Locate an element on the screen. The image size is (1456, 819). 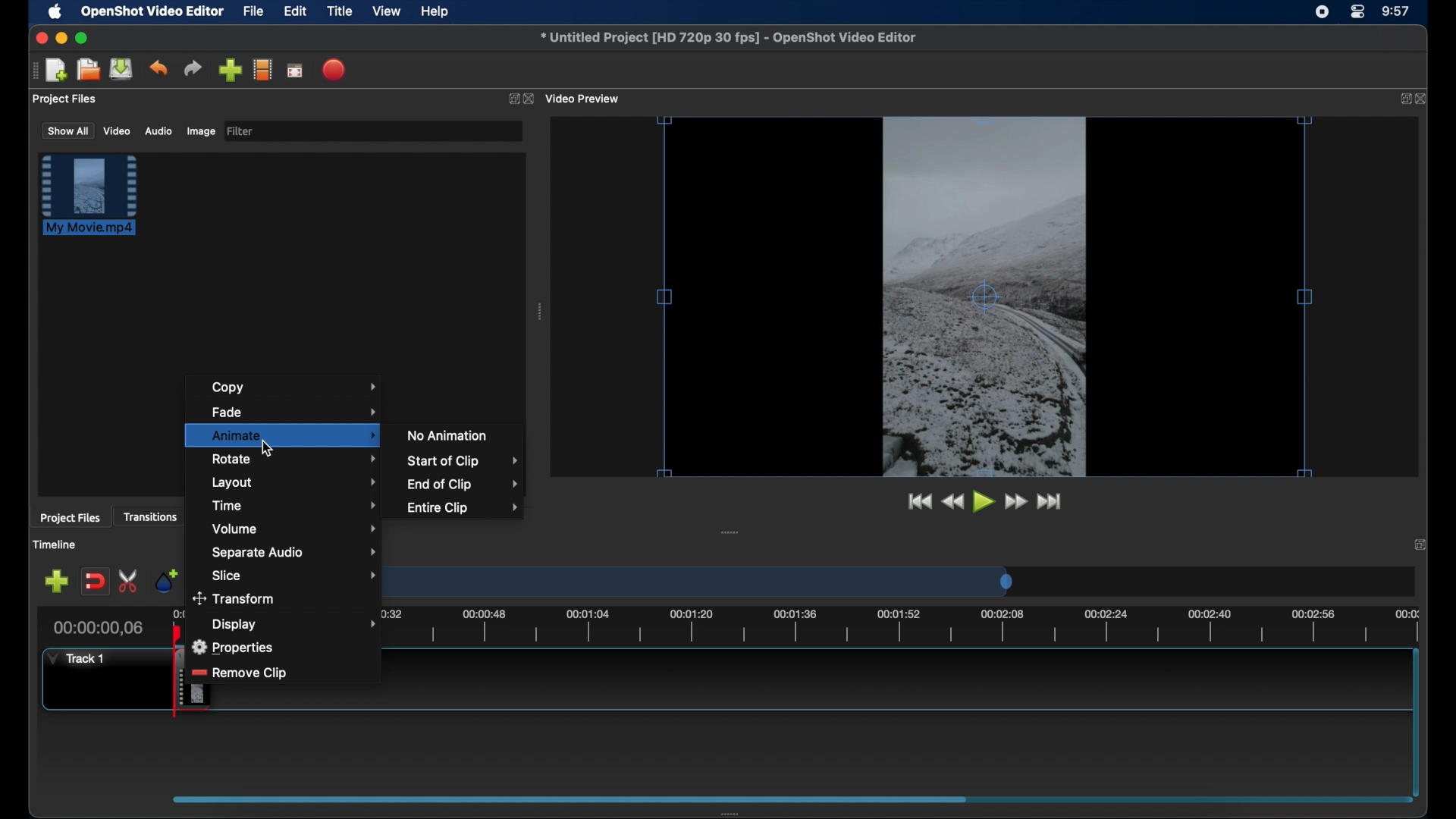
open files is located at coordinates (89, 71).